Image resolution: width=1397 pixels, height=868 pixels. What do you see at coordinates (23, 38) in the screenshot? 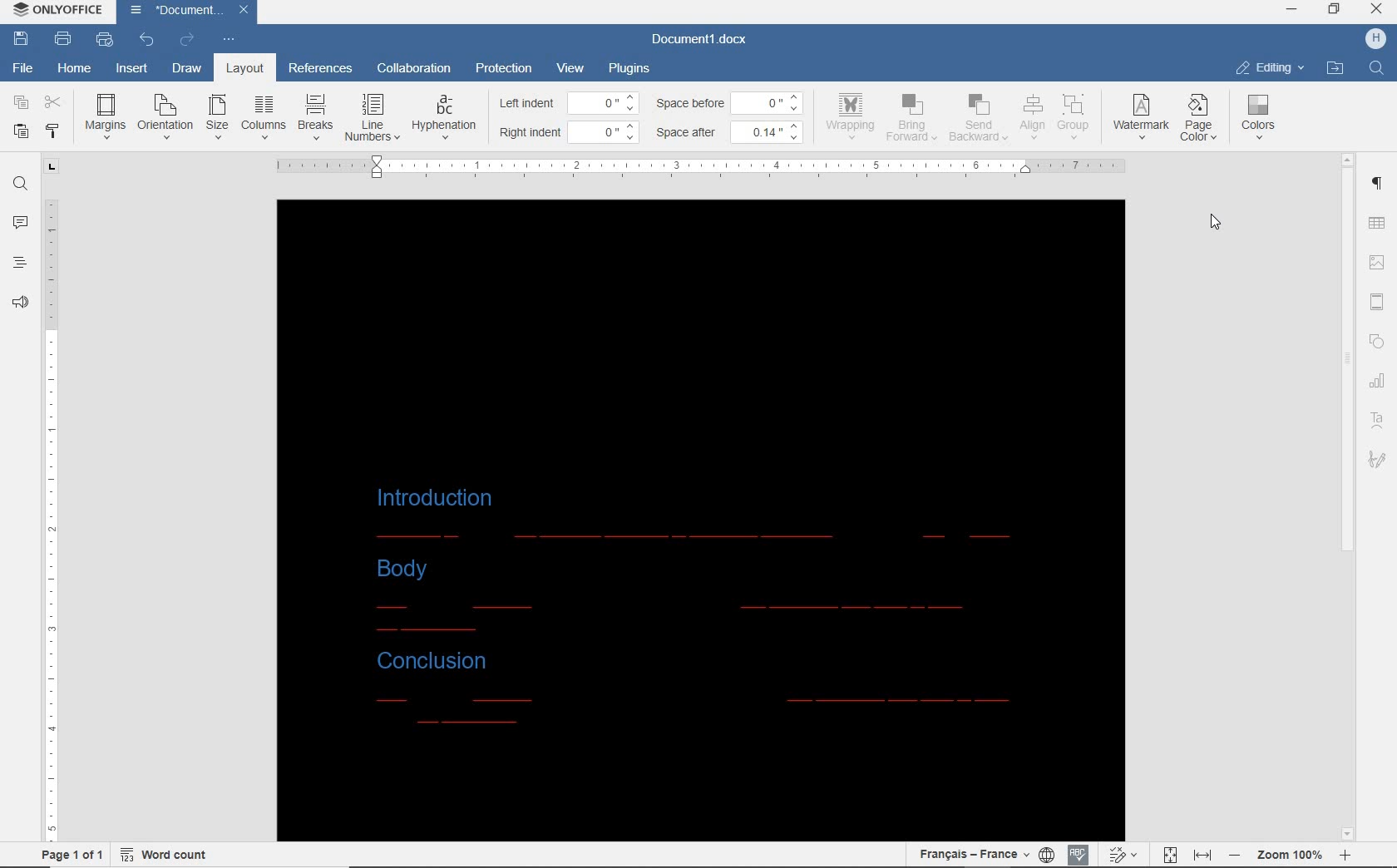
I see `save` at bounding box center [23, 38].